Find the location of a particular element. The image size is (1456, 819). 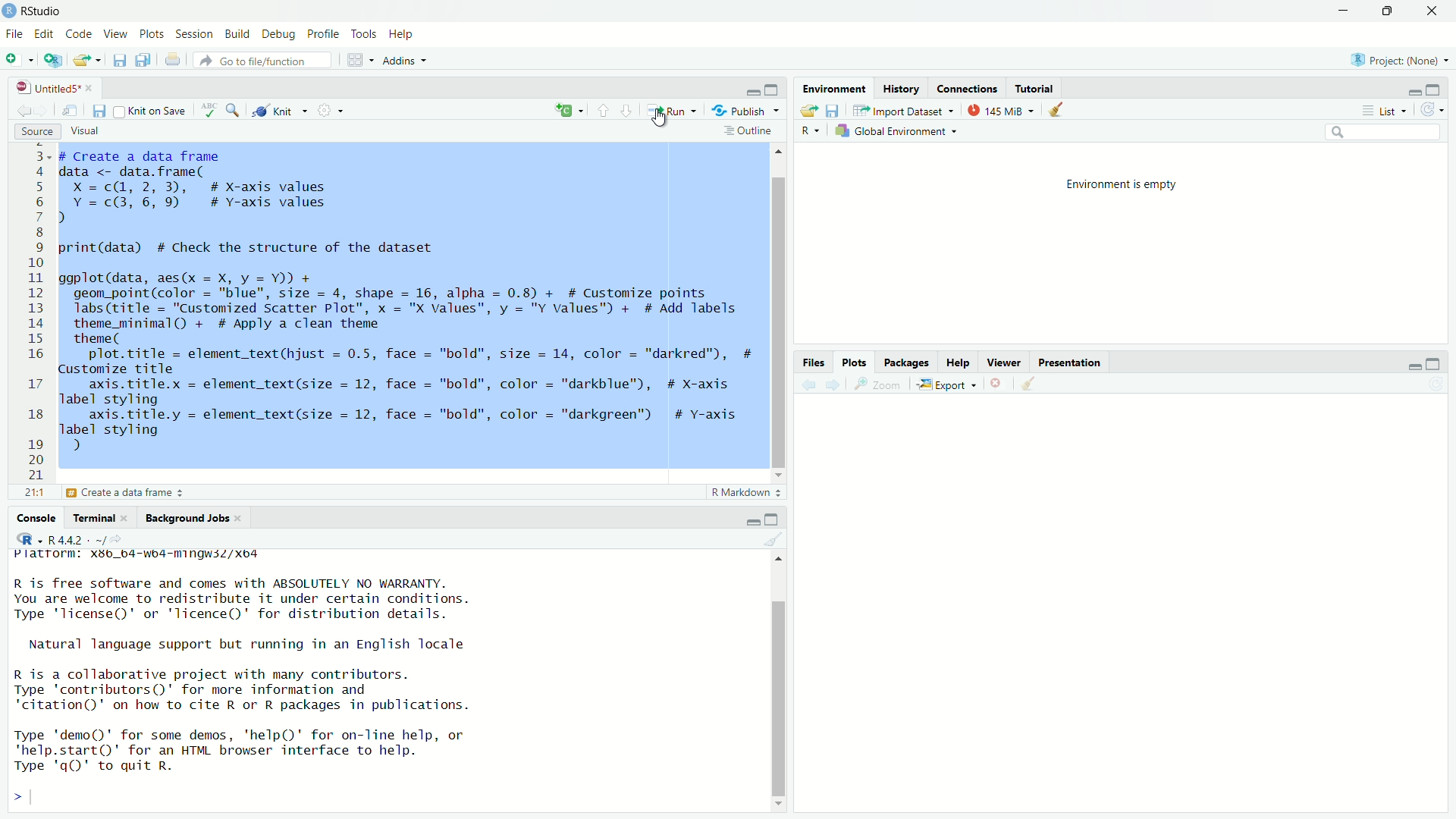

Run is located at coordinates (670, 111).